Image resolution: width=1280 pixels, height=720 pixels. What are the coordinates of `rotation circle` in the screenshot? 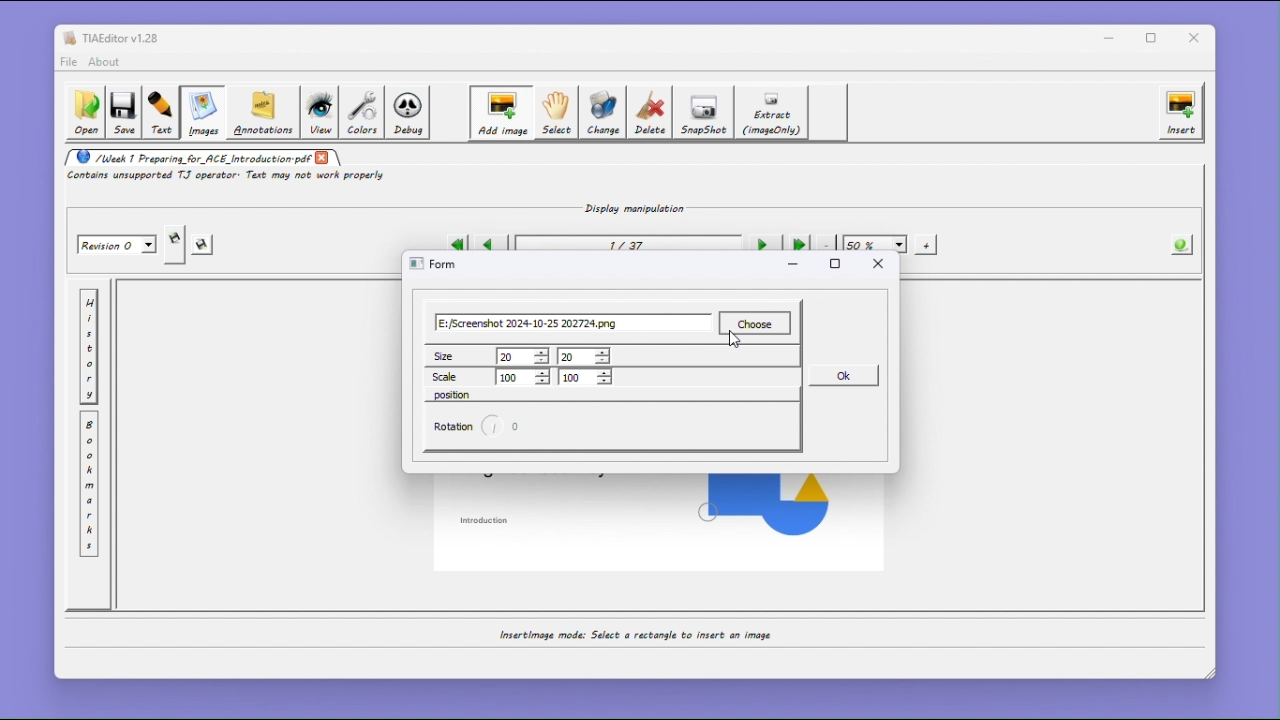 It's located at (490, 427).